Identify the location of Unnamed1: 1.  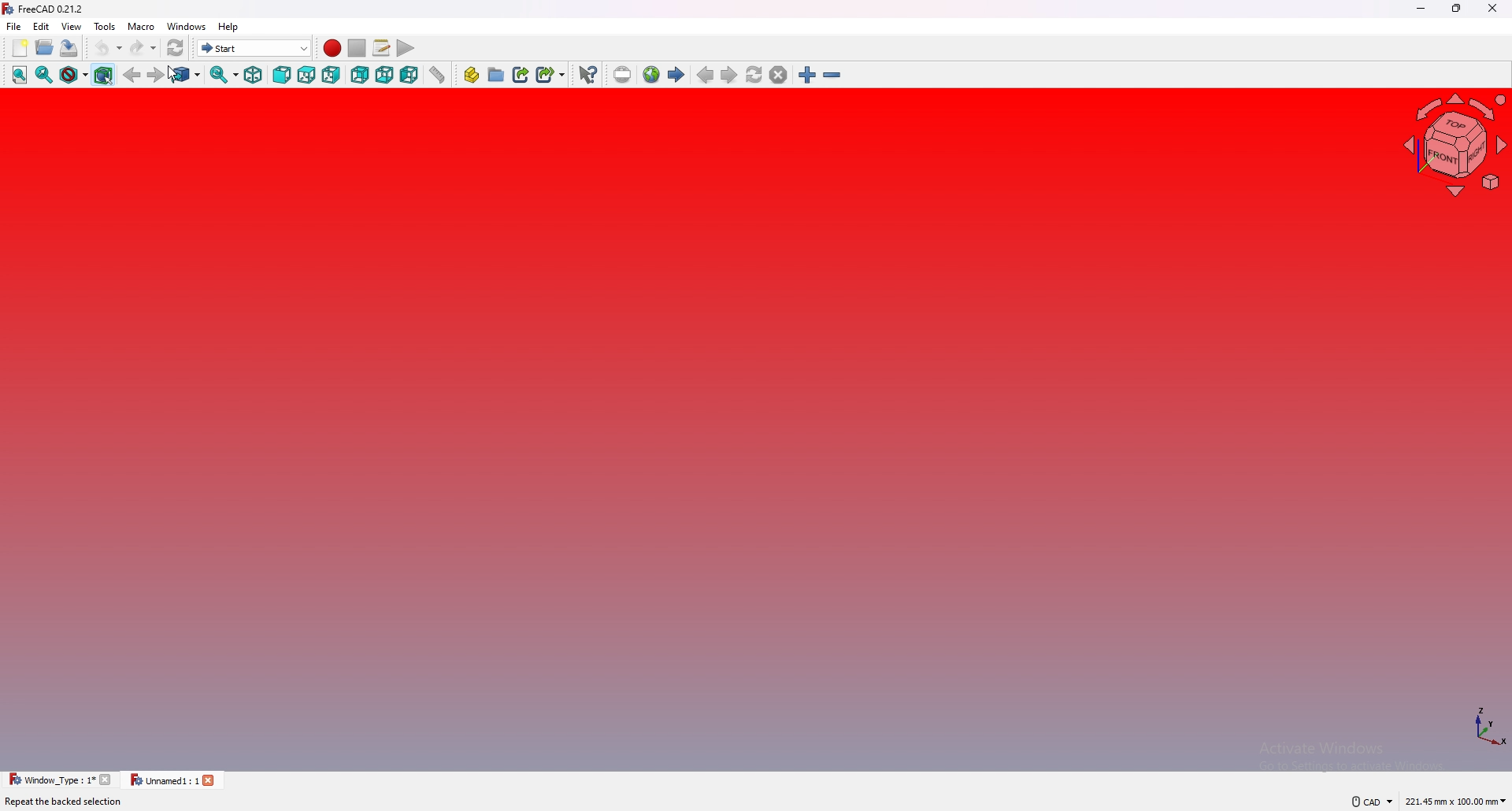
(164, 780).